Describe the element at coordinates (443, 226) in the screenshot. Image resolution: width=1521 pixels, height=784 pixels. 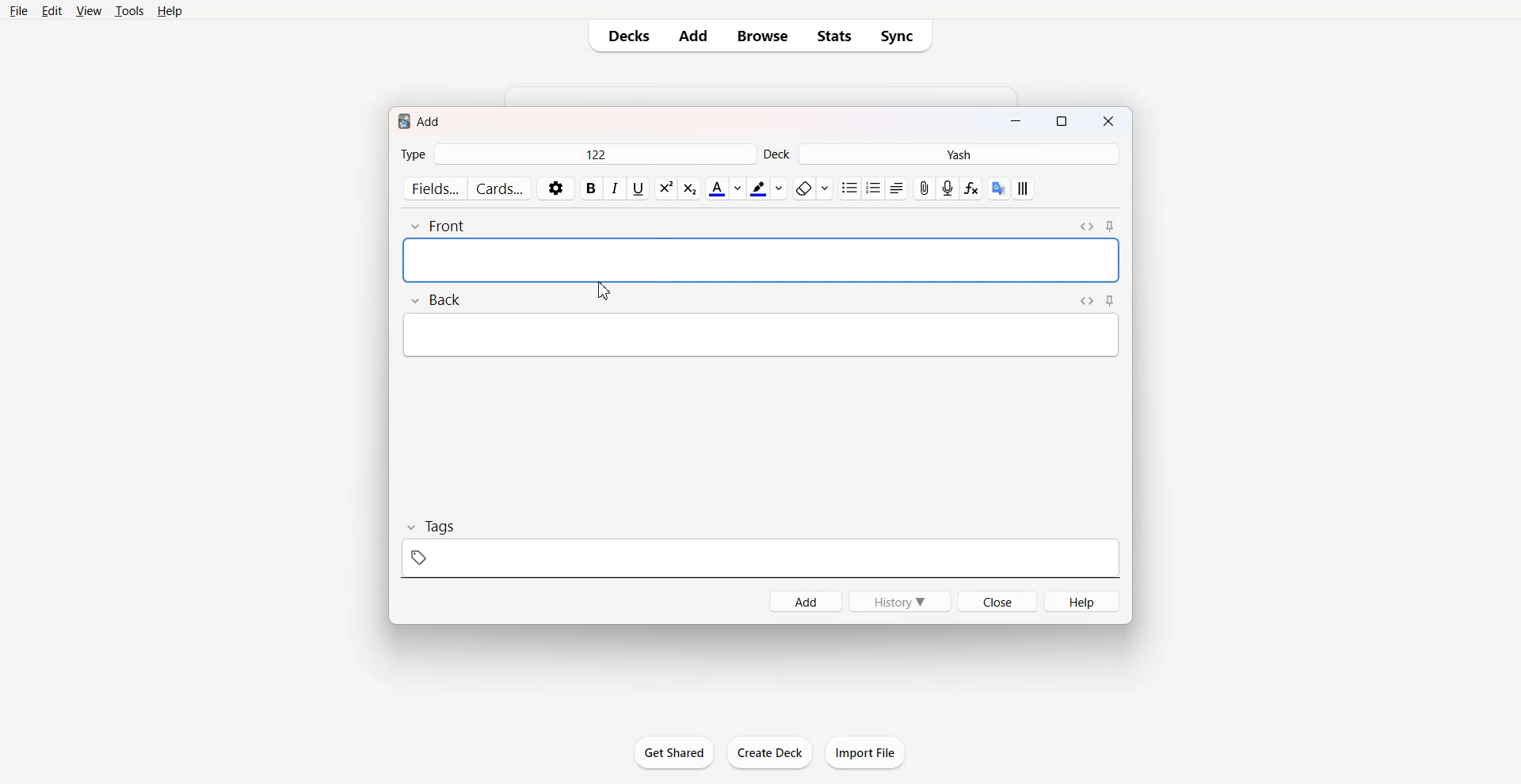
I see `Front` at that location.